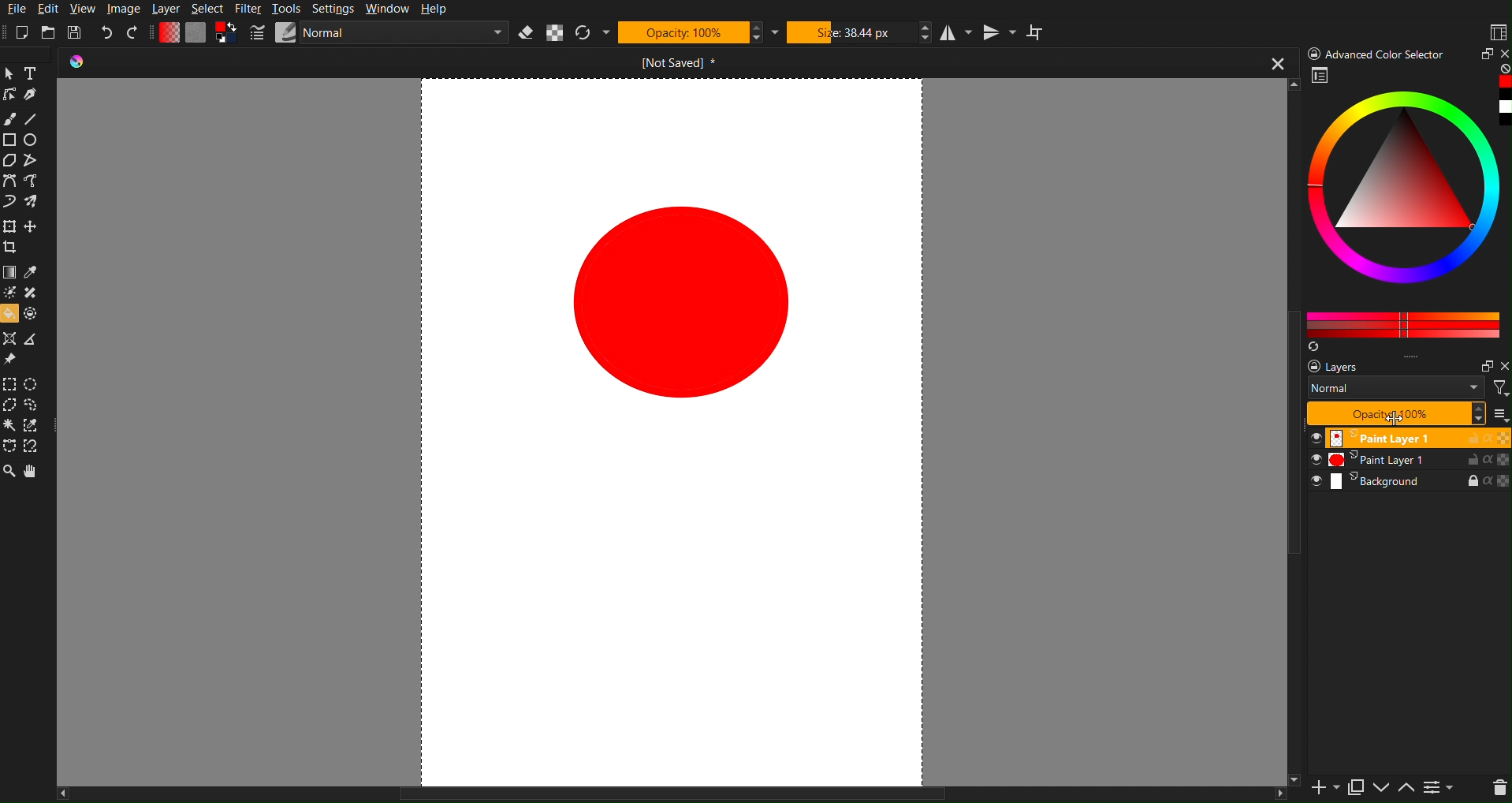  Describe the element at coordinates (1503, 390) in the screenshot. I see `Filter` at that location.